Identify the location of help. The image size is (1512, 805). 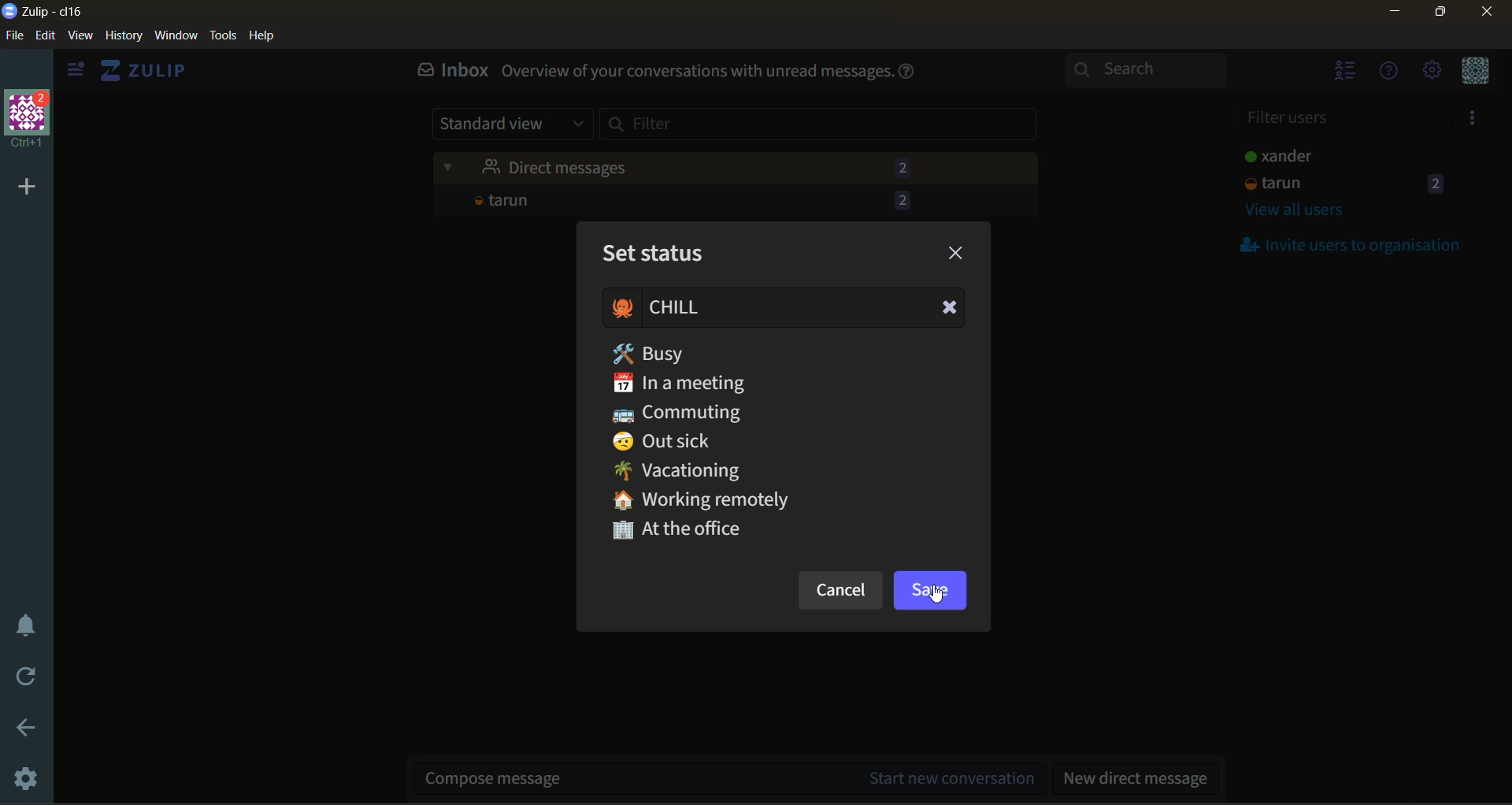
(910, 70).